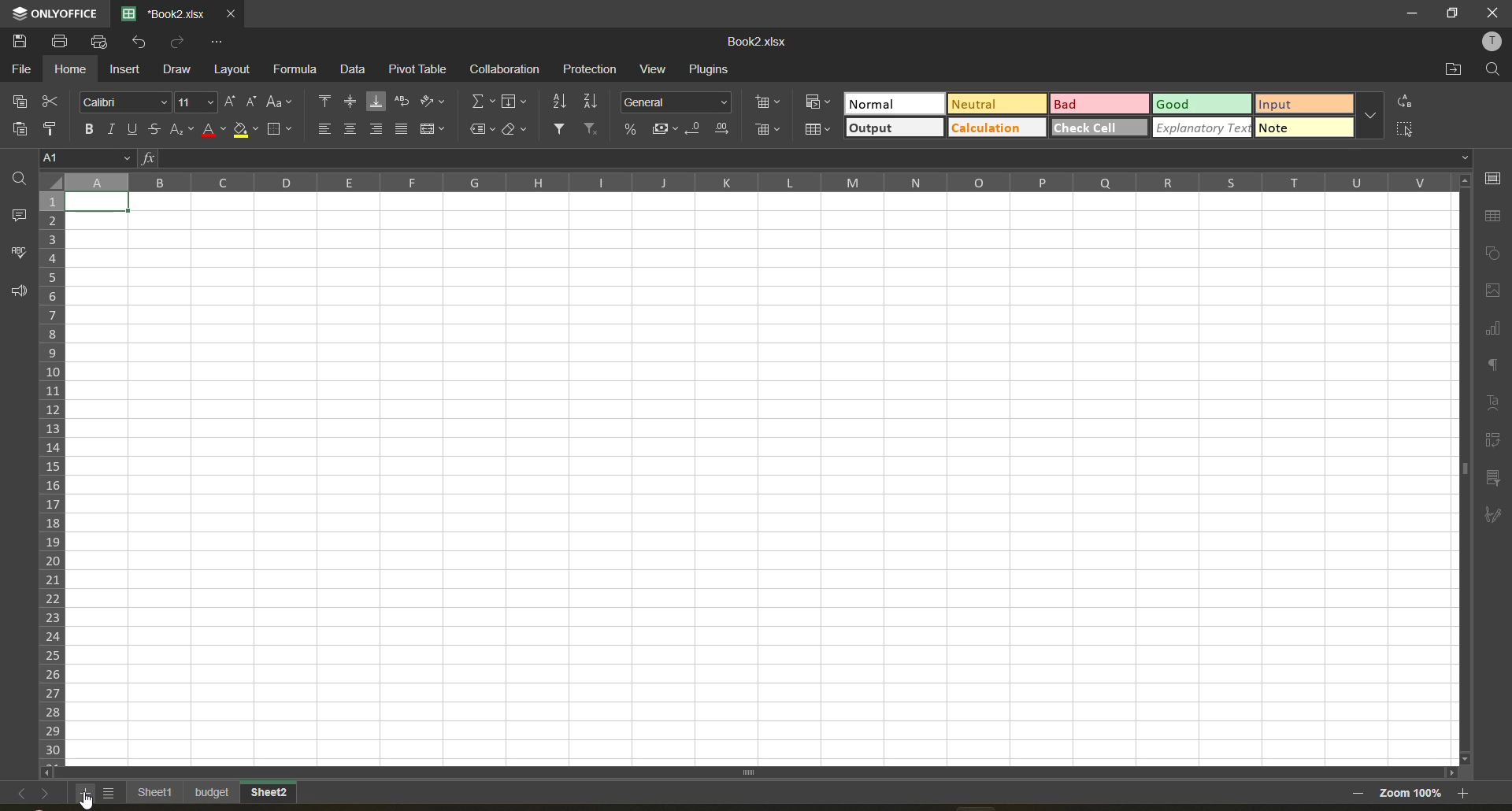  What do you see at coordinates (157, 131) in the screenshot?
I see `strikethrough` at bounding box center [157, 131].